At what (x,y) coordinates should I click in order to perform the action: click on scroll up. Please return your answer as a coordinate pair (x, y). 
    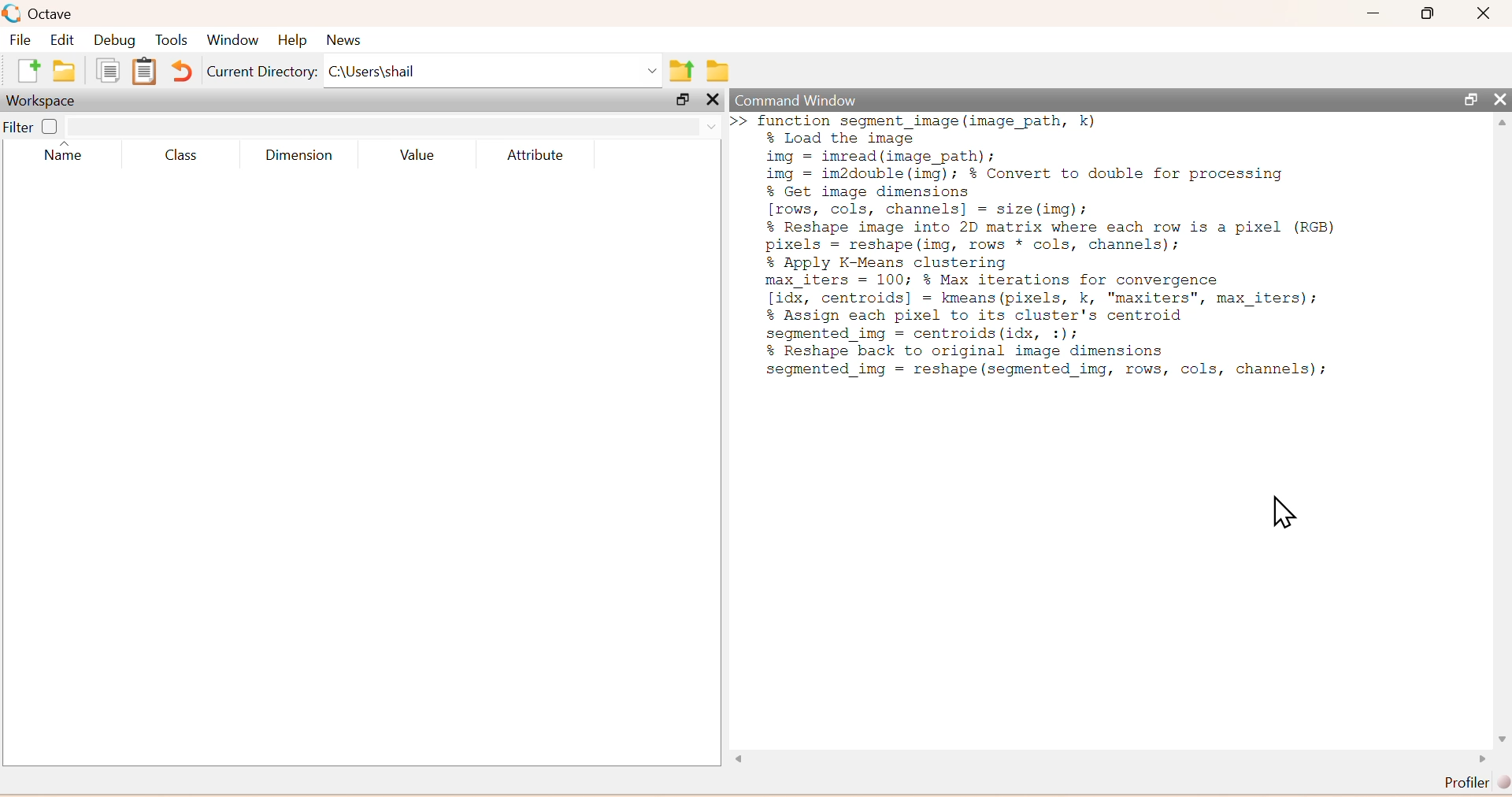
    Looking at the image, I should click on (1500, 124).